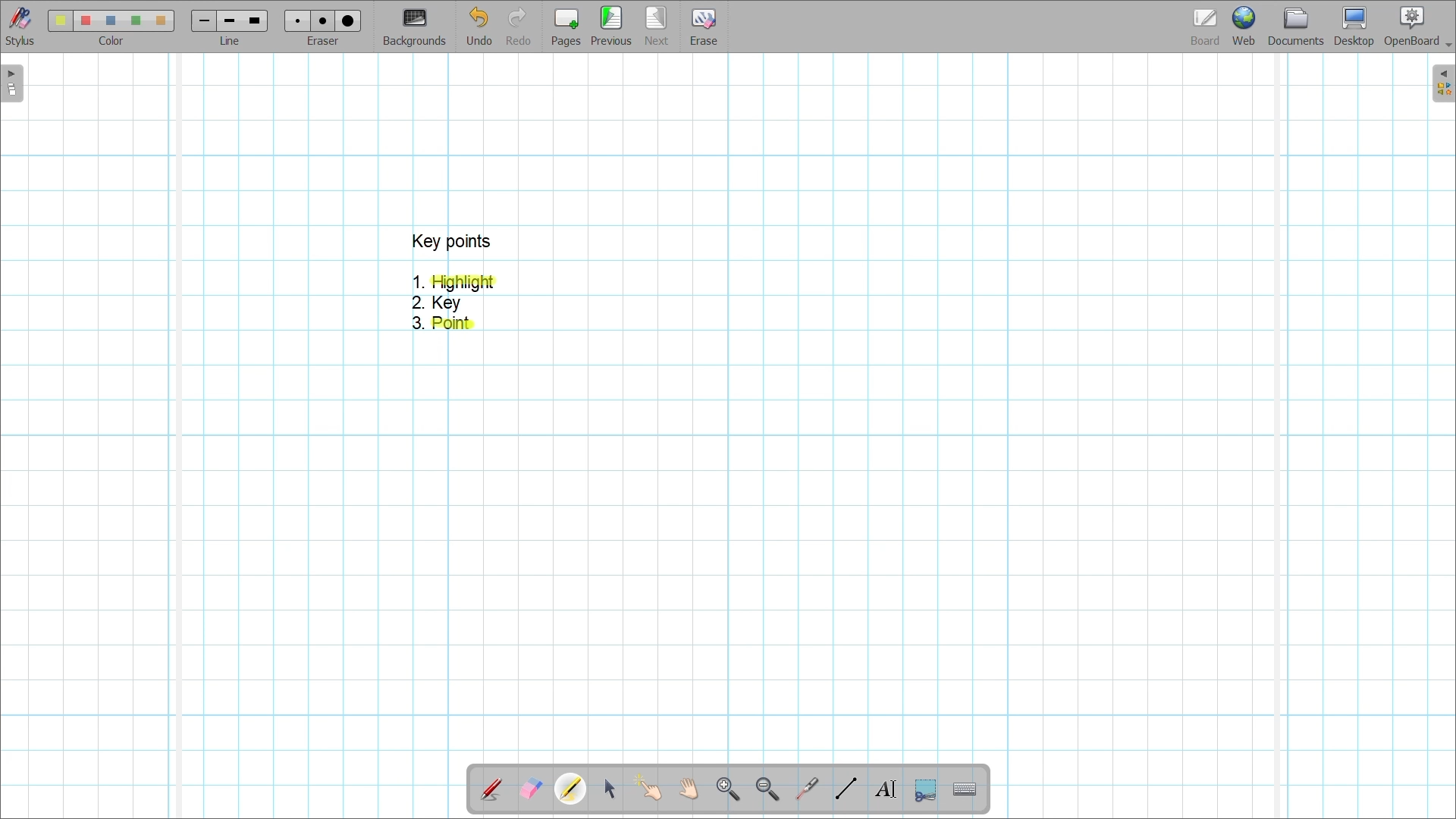  What do you see at coordinates (326, 42) in the screenshot?
I see `eraser` at bounding box center [326, 42].